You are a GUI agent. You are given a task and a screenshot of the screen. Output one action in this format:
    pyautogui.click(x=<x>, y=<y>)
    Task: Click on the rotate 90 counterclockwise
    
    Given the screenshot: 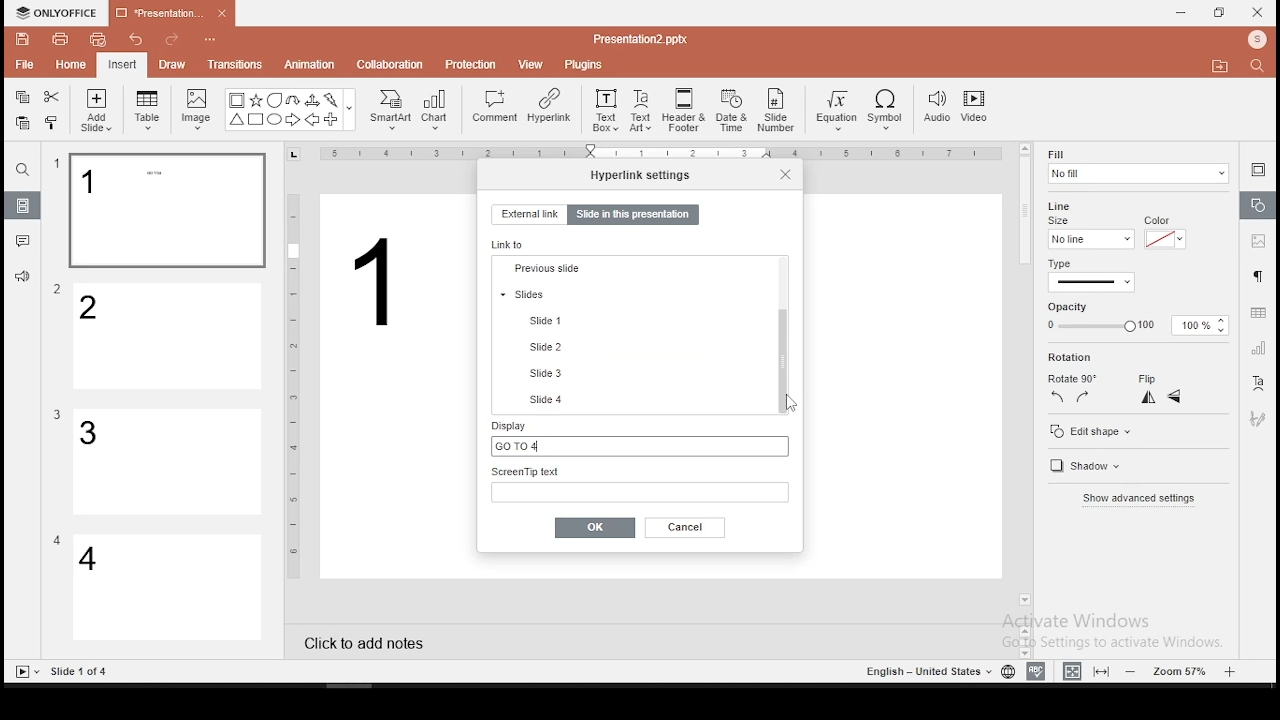 What is the action you would take?
    pyautogui.click(x=1058, y=396)
    